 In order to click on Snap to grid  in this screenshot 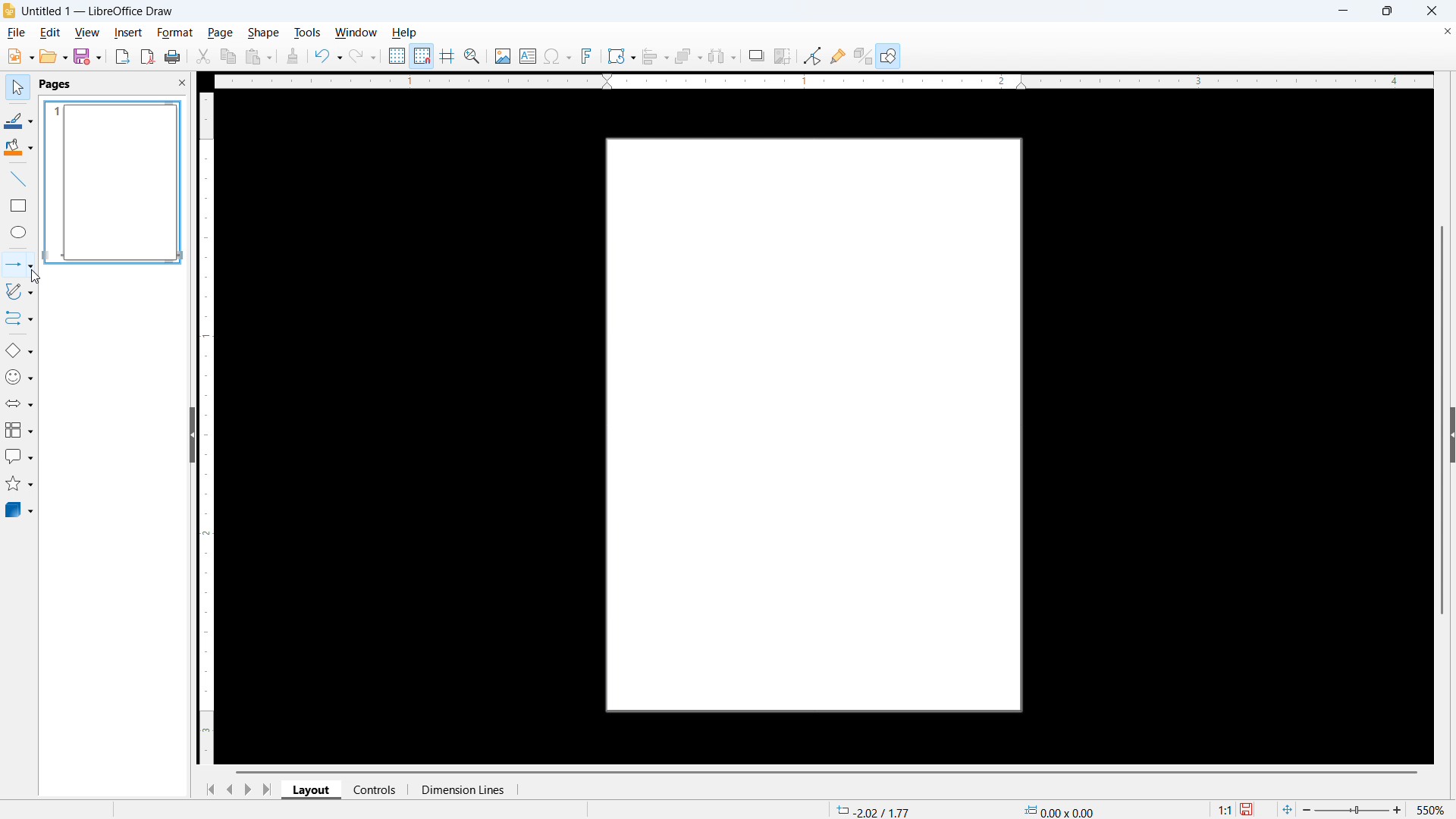, I will do `click(422, 56)`.